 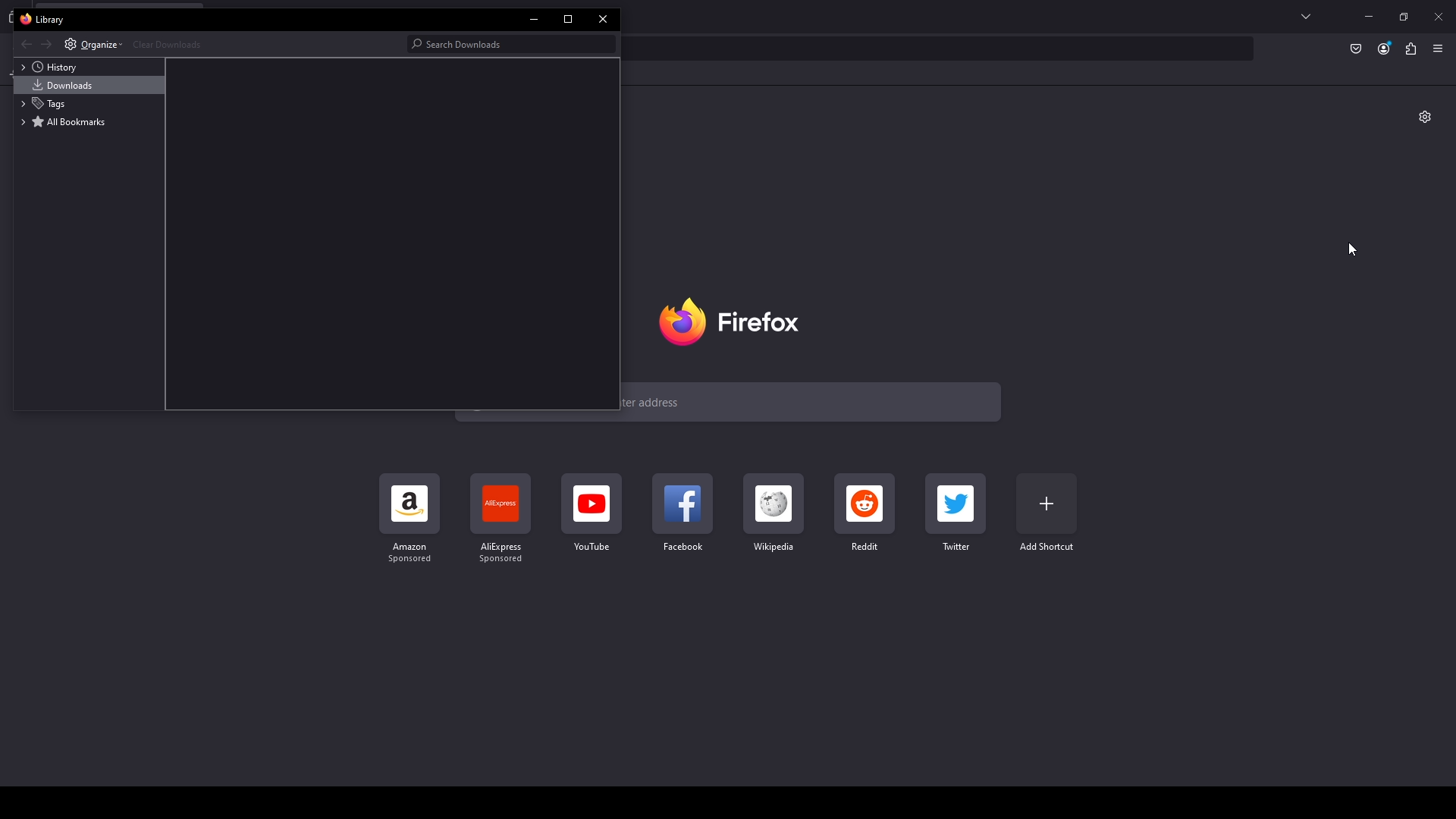 What do you see at coordinates (25, 45) in the screenshot?
I see `Back` at bounding box center [25, 45].